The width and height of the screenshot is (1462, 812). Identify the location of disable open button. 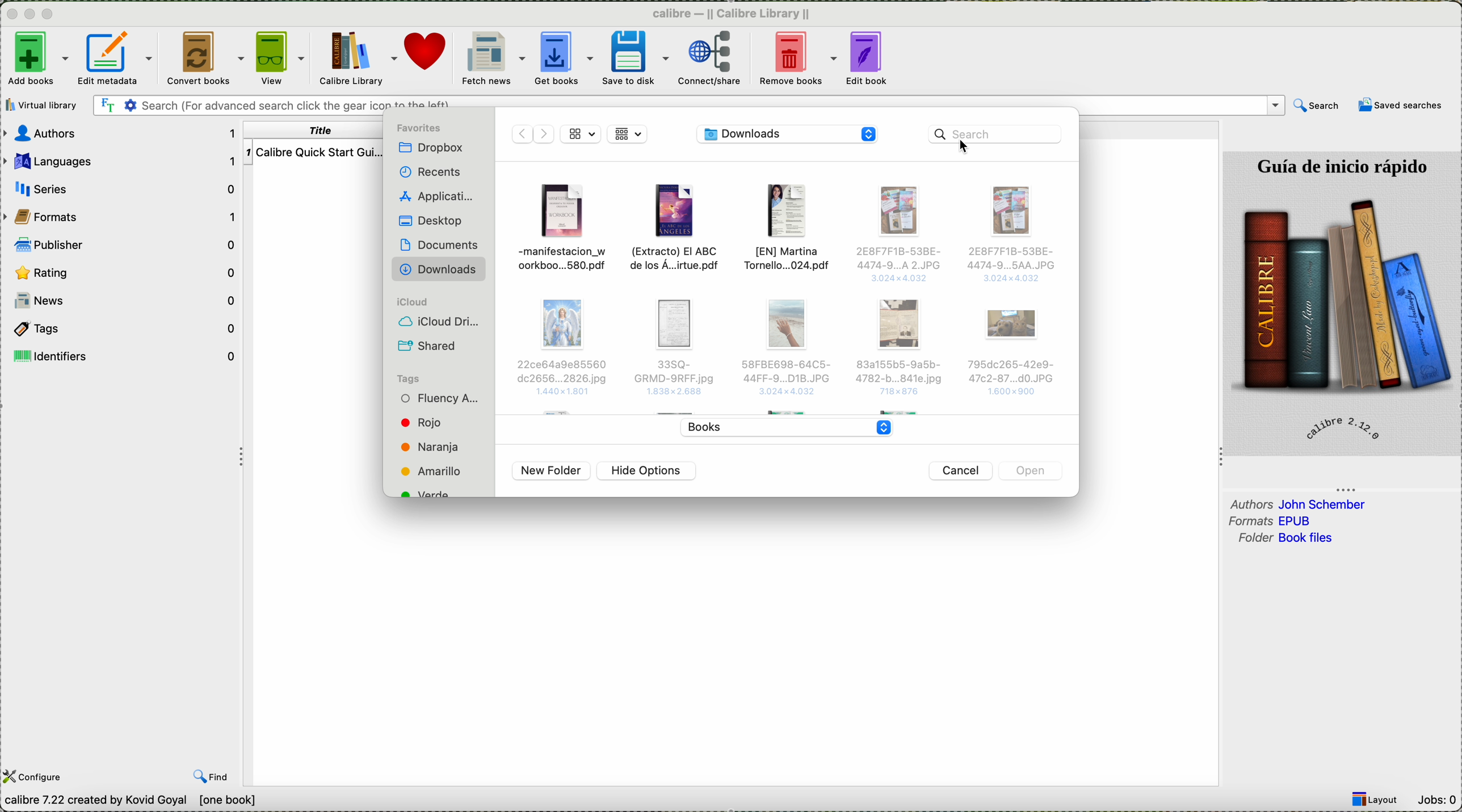
(1030, 472).